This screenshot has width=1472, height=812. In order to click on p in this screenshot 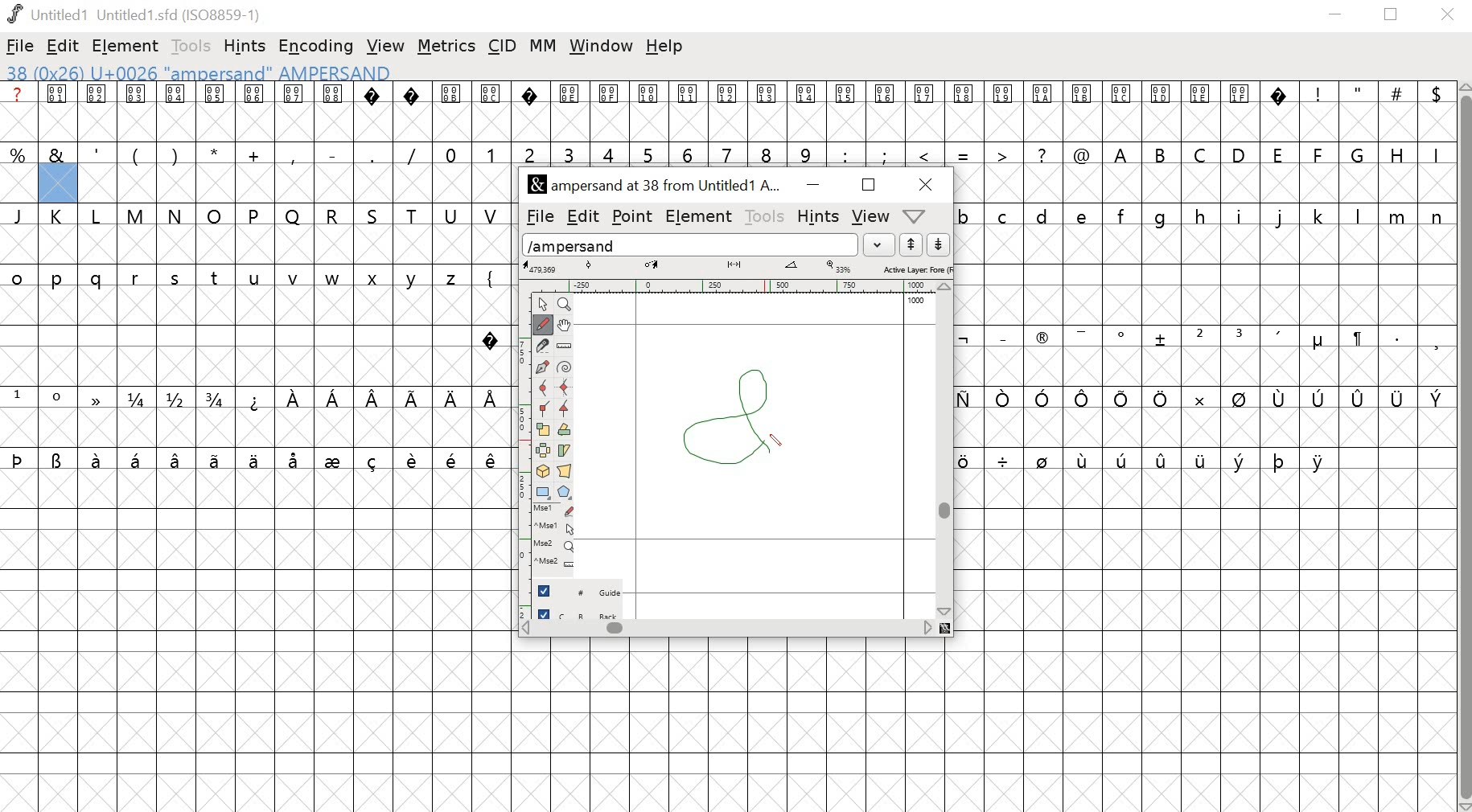, I will do `click(60, 280)`.